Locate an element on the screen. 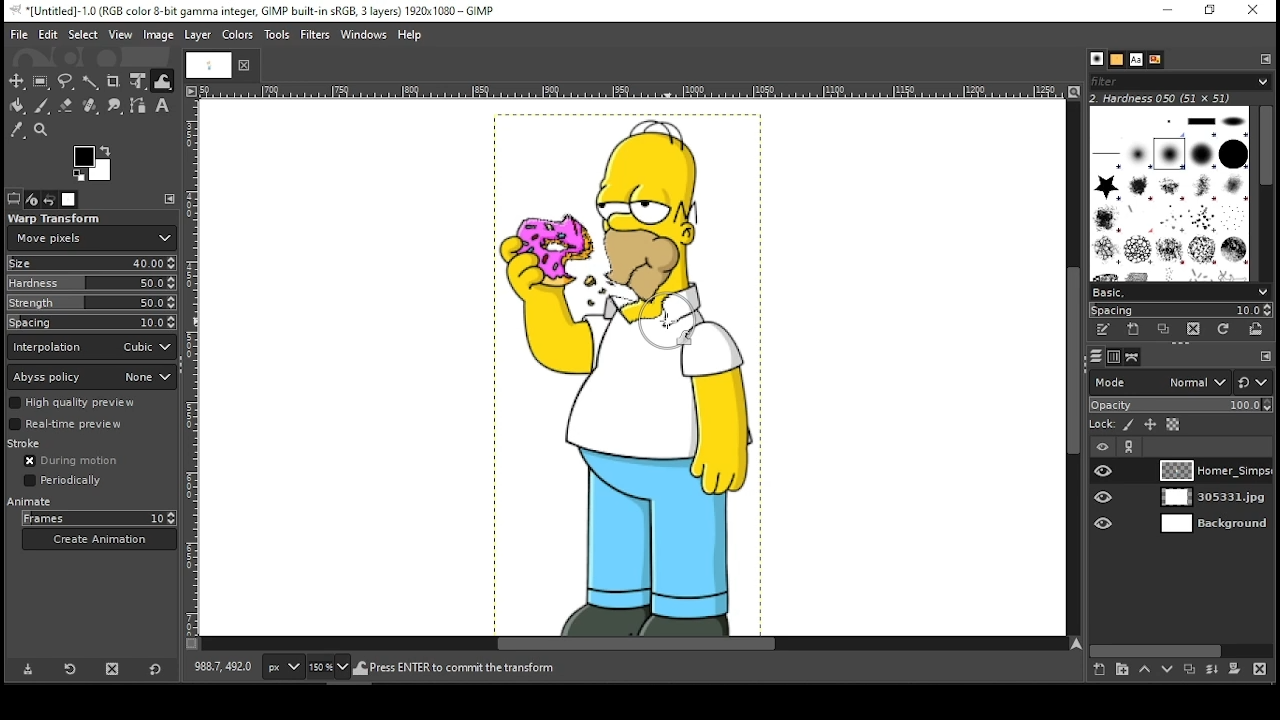  scroll bar is located at coordinates (1268, 194).